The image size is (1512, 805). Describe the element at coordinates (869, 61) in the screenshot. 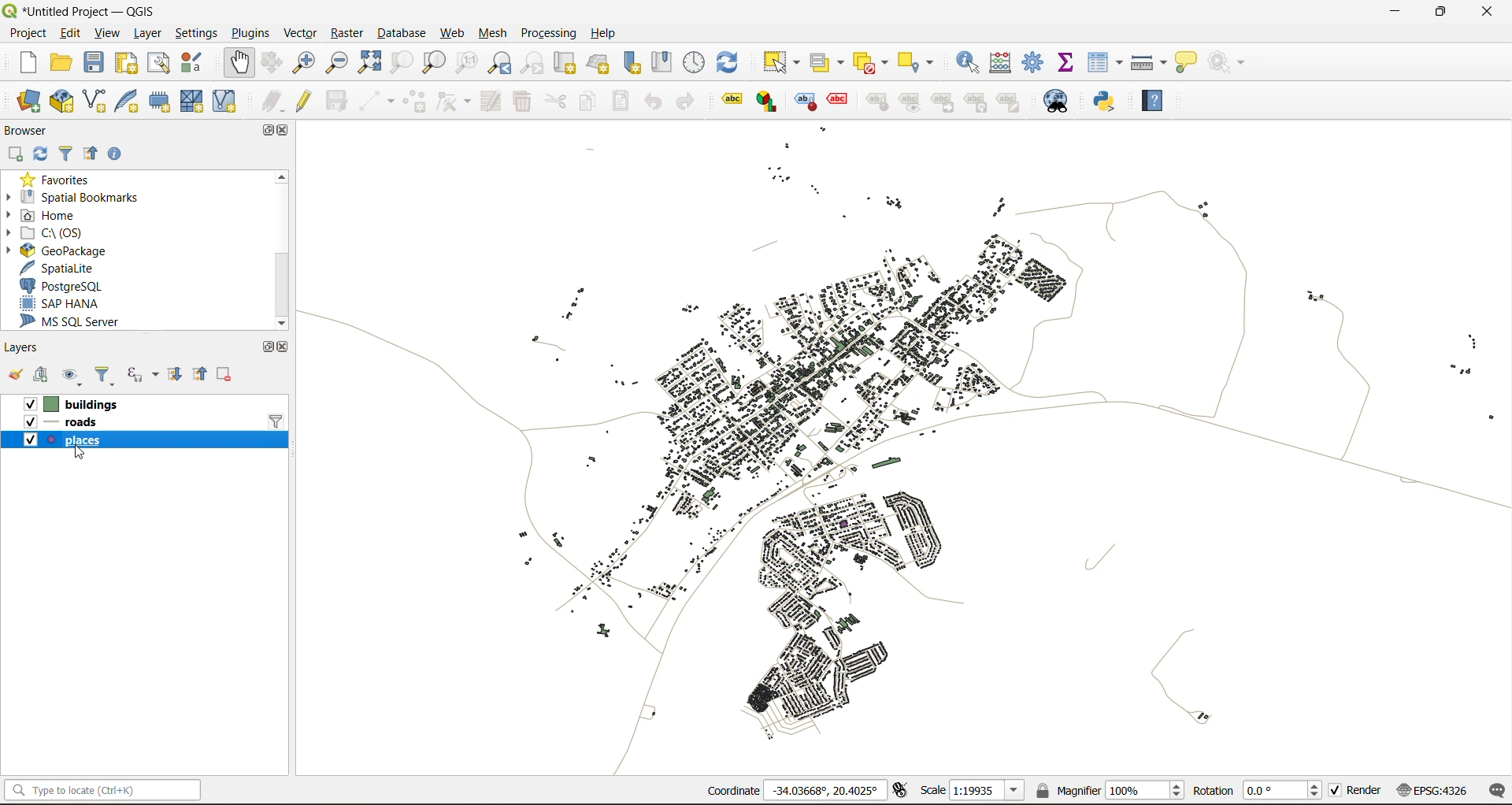

I see `deselect value` at that location.